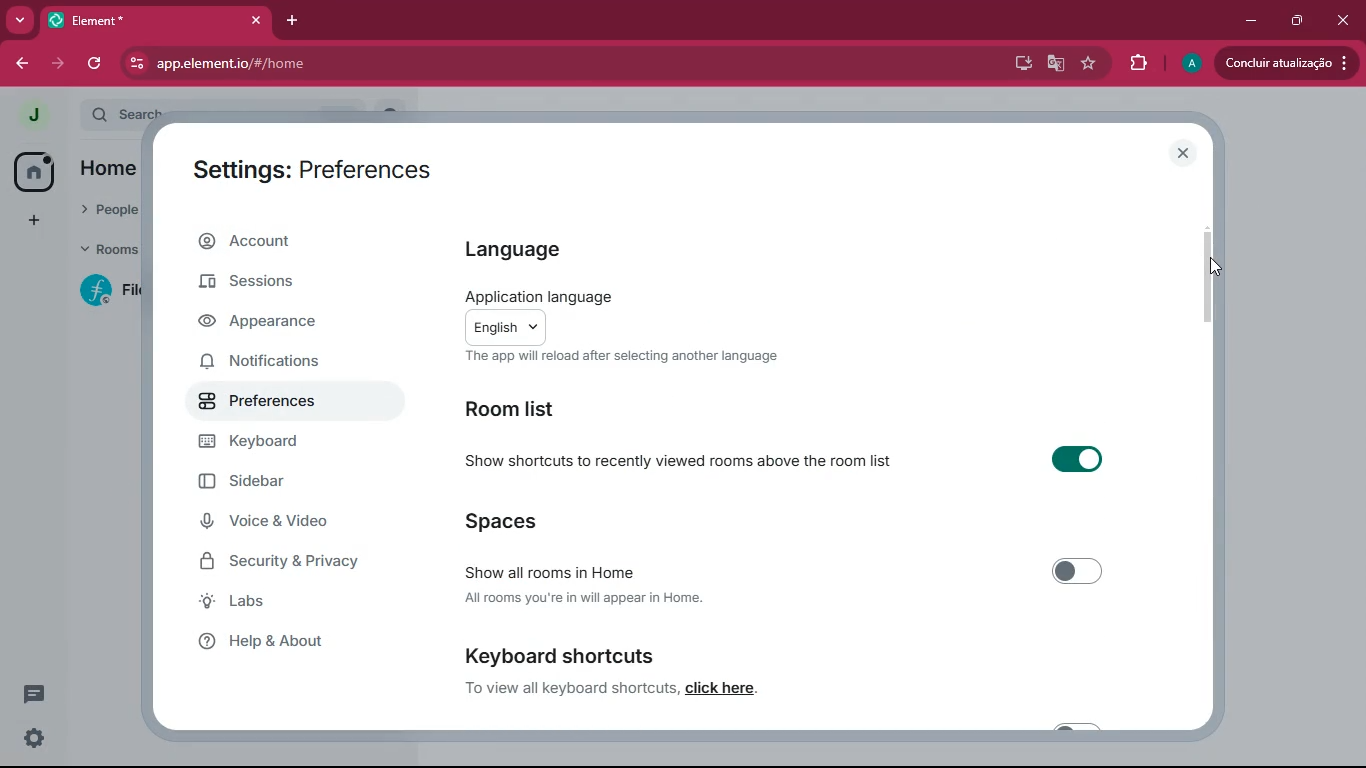 Image resolution: width=1366 pixels, height=768 pixels. Describe the element at coordinates (1282, 63) in the screenshot. I see `update` at that location.